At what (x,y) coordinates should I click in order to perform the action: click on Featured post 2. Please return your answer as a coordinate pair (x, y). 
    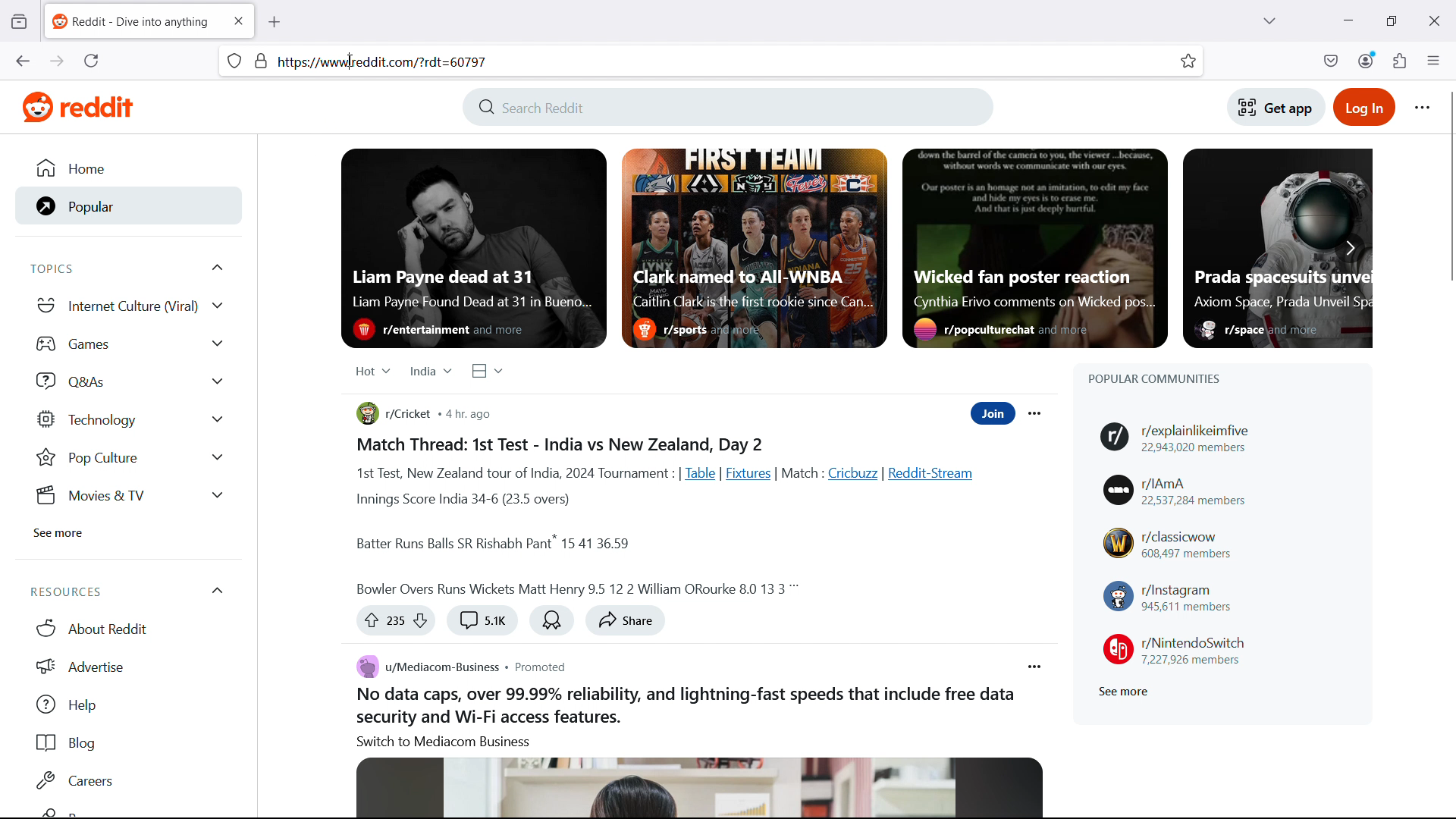
    Looking at the image, I should click on (754, 247).